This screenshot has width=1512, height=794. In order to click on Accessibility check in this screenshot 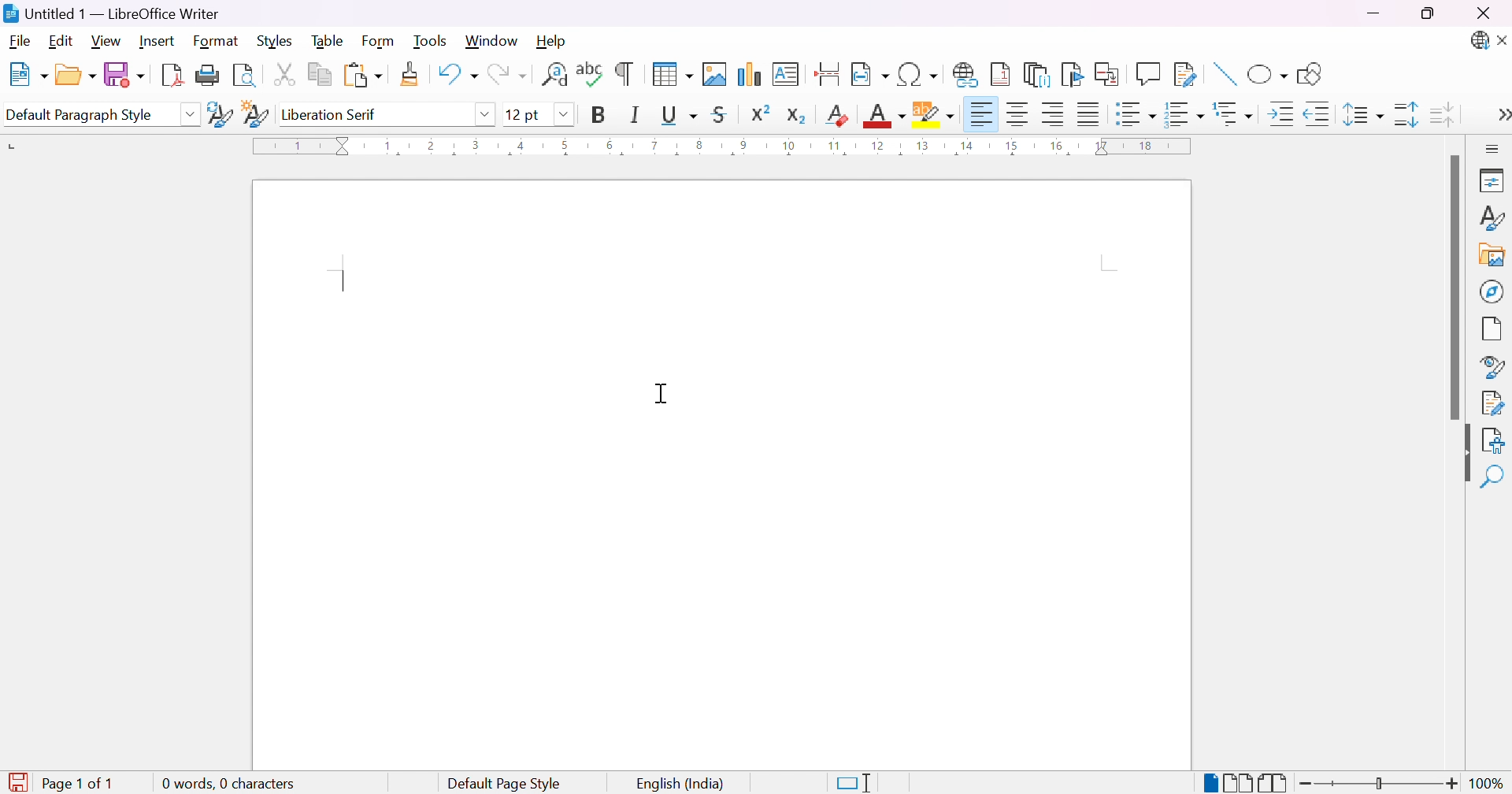, I will do `click(1492, 440)`.